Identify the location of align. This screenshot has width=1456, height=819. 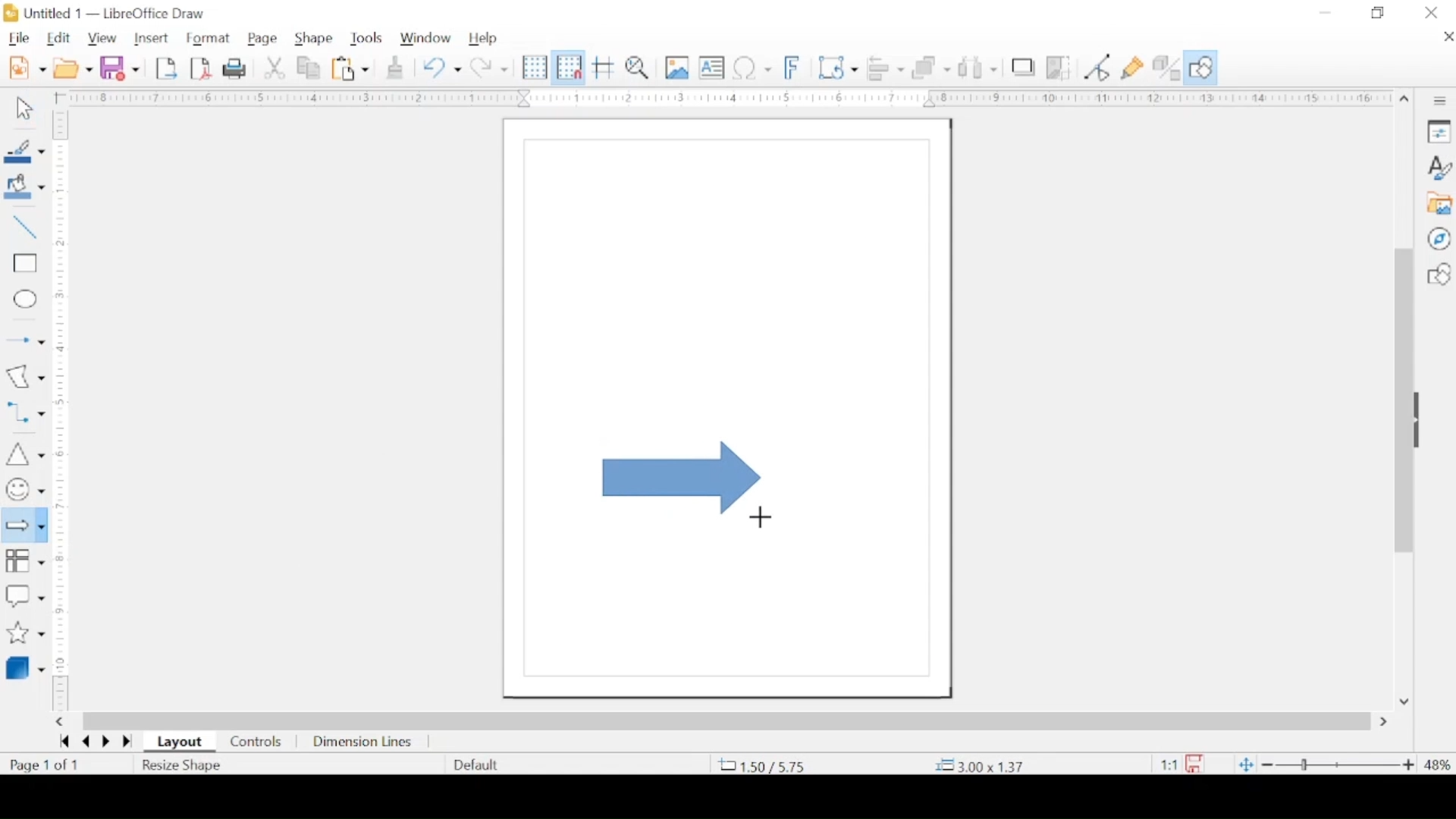
(885, 67).